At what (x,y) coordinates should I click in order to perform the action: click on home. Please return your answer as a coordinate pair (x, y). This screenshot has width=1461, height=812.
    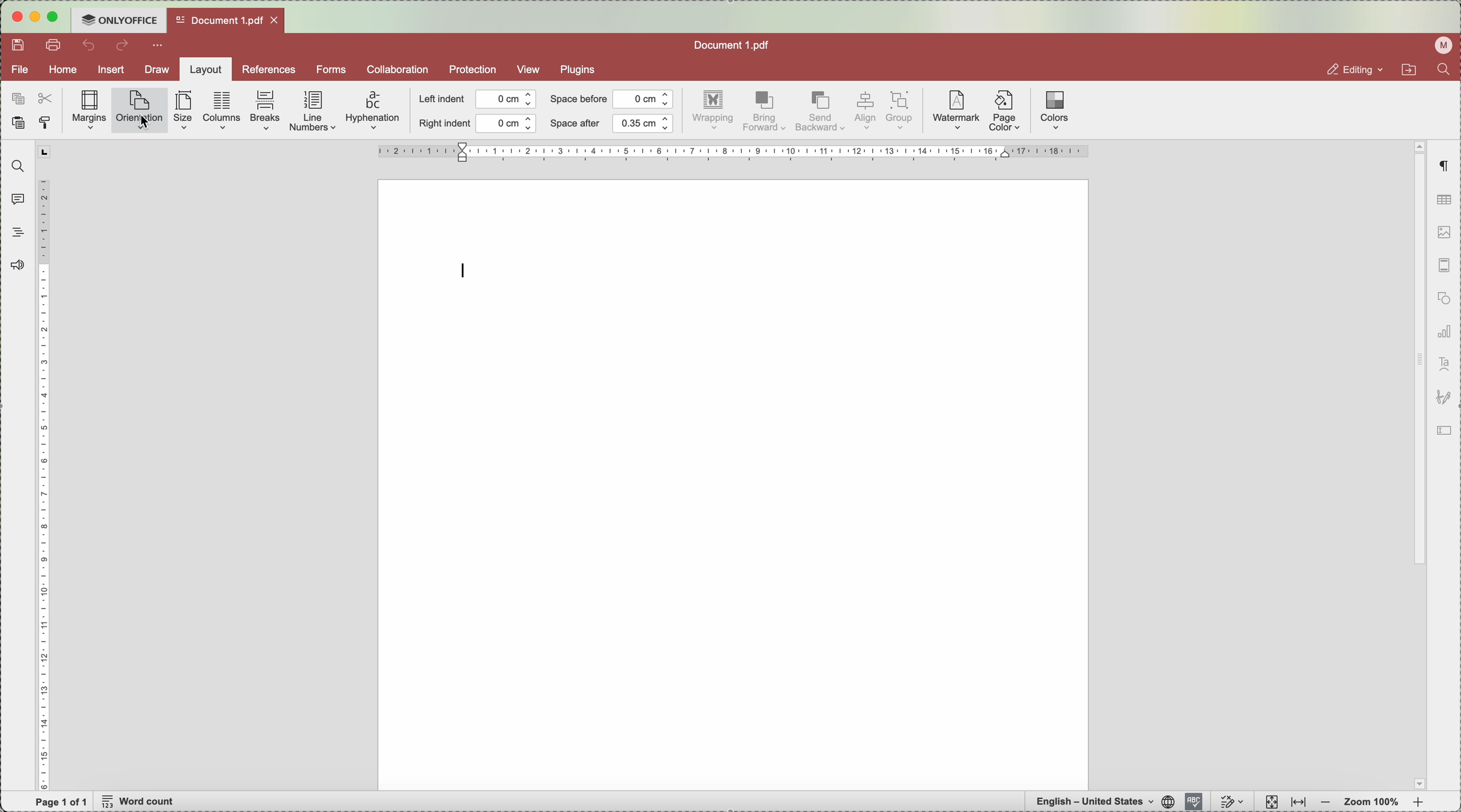
    Looking at the image, I should click on (64, 71).